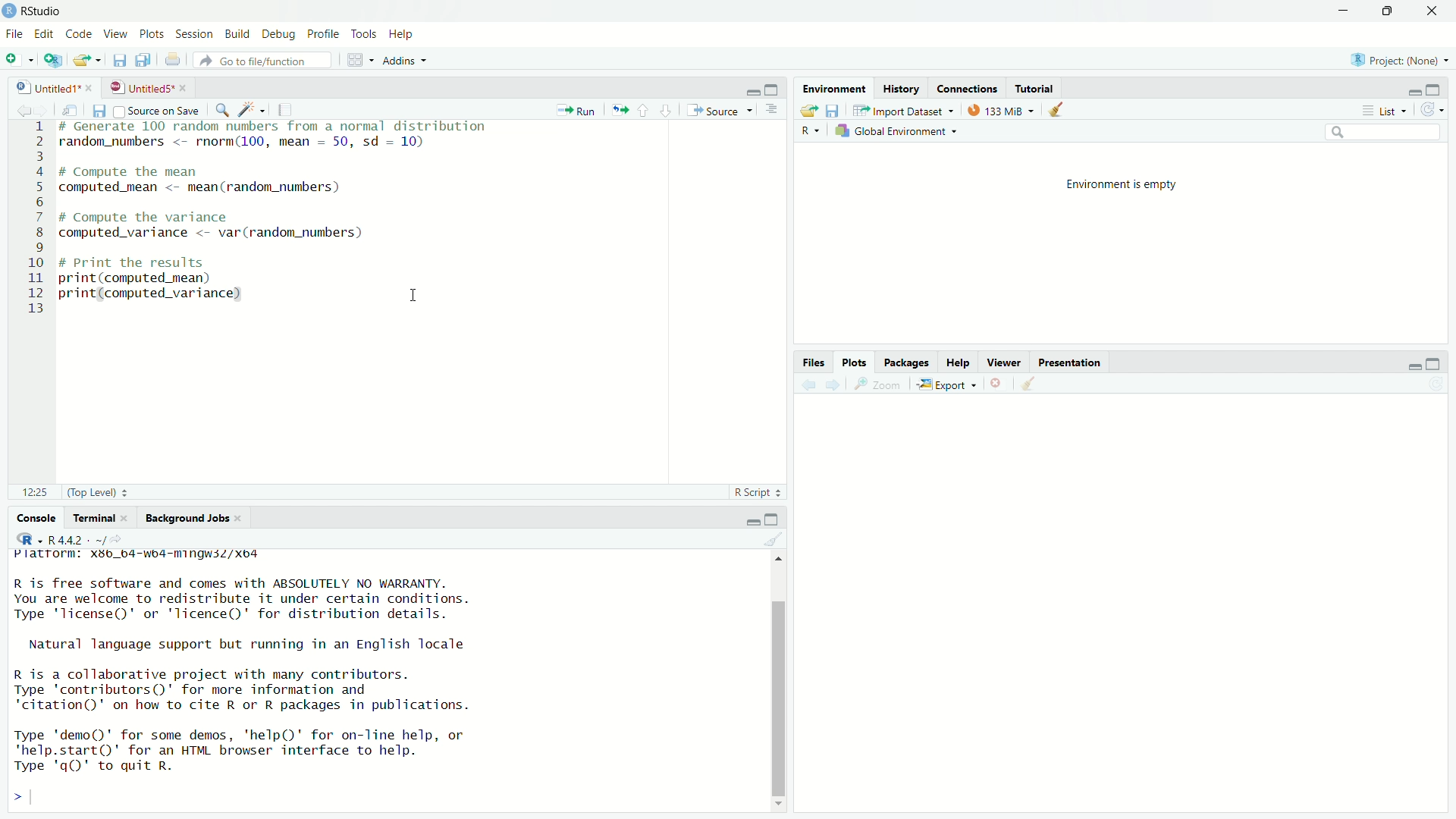 The width and height of the screenshot is (1456, 819). What do you see at coordinates (359, 60) in the screenshot?
I see `workspace panes` at bounding box center [359, 60].